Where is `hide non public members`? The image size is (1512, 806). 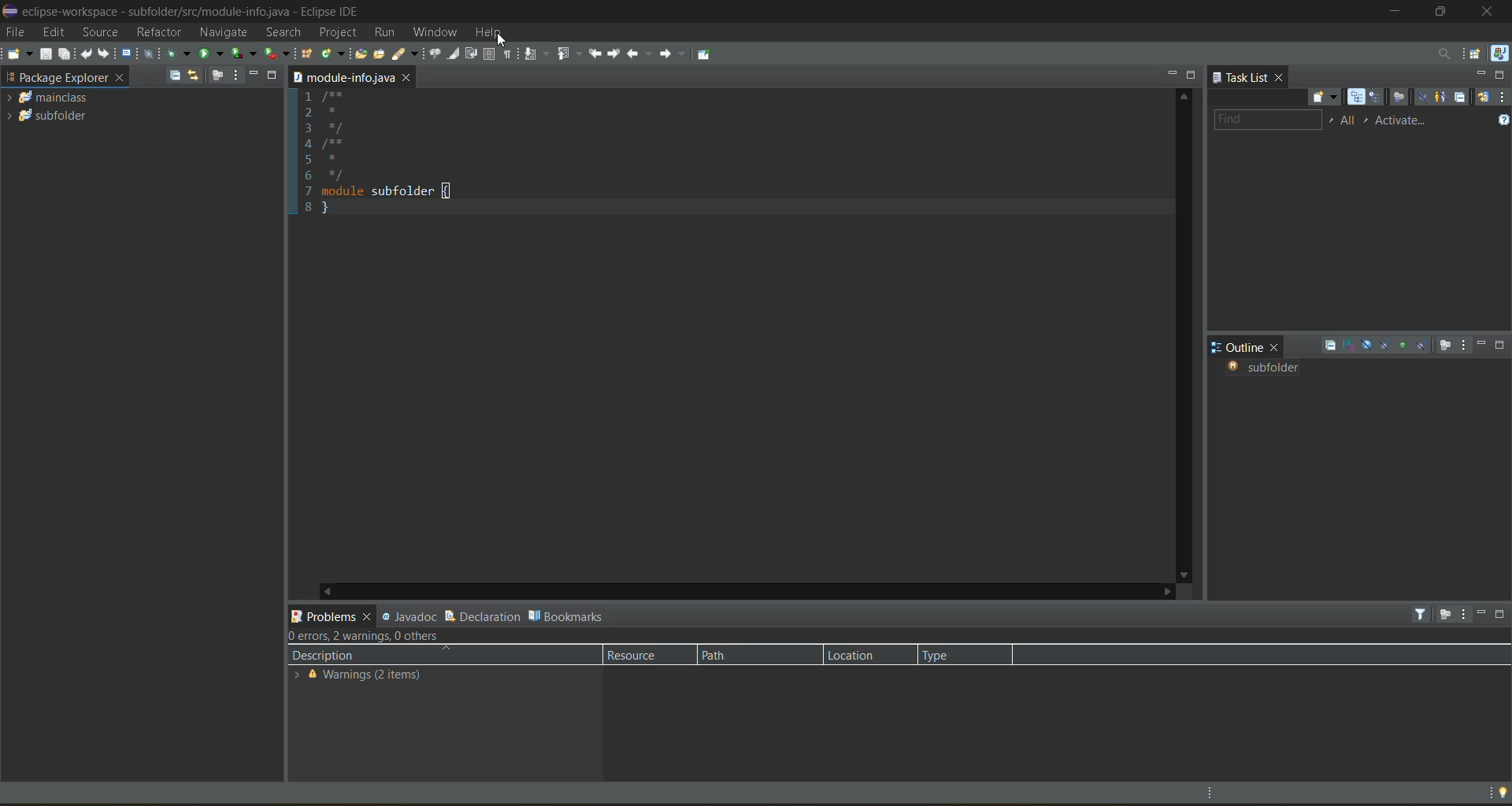
hide non public members is located at coordinates (1404, 346).